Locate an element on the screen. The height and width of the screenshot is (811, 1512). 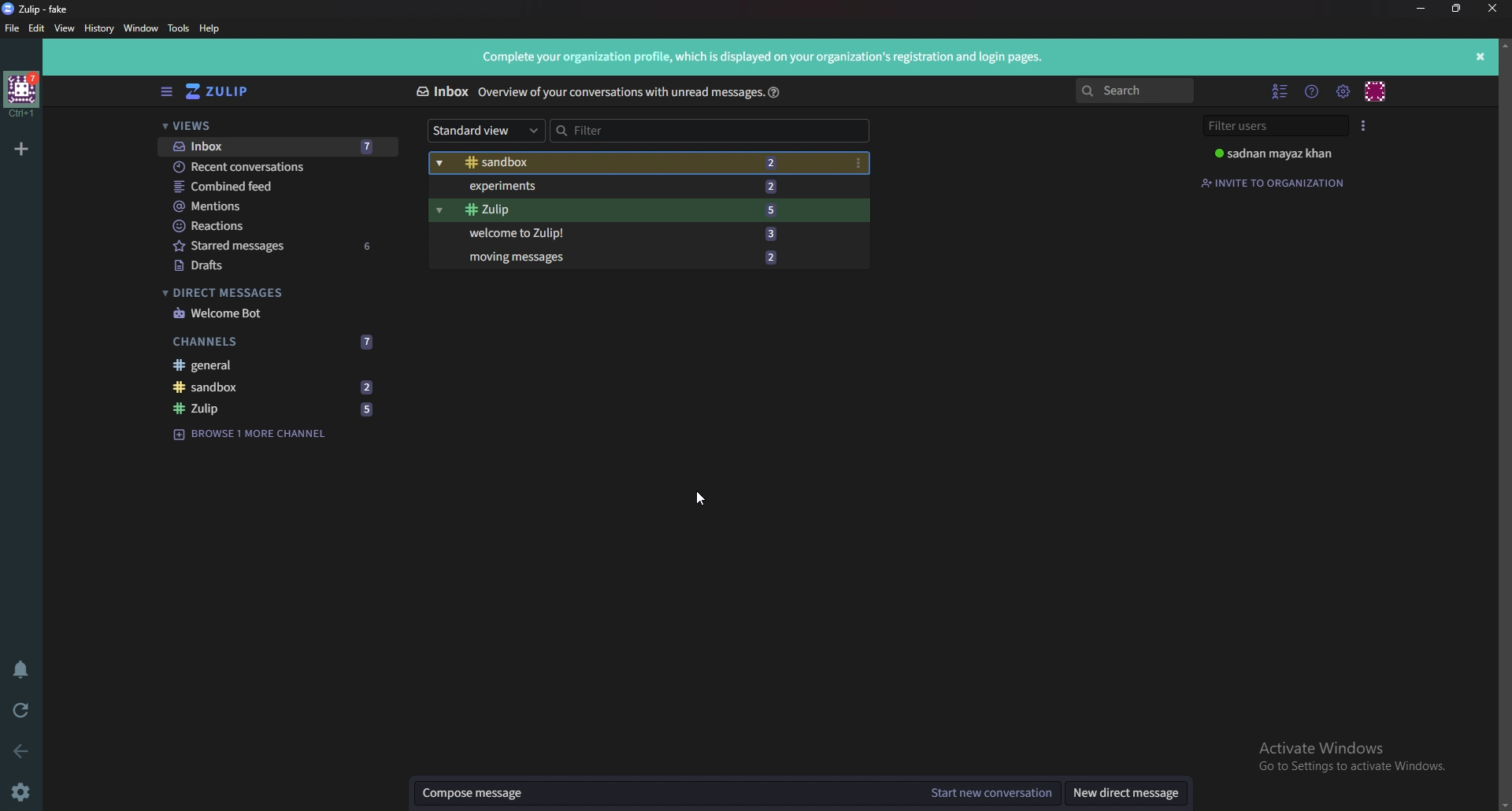
minimize is located at coordinates (1421, 8).